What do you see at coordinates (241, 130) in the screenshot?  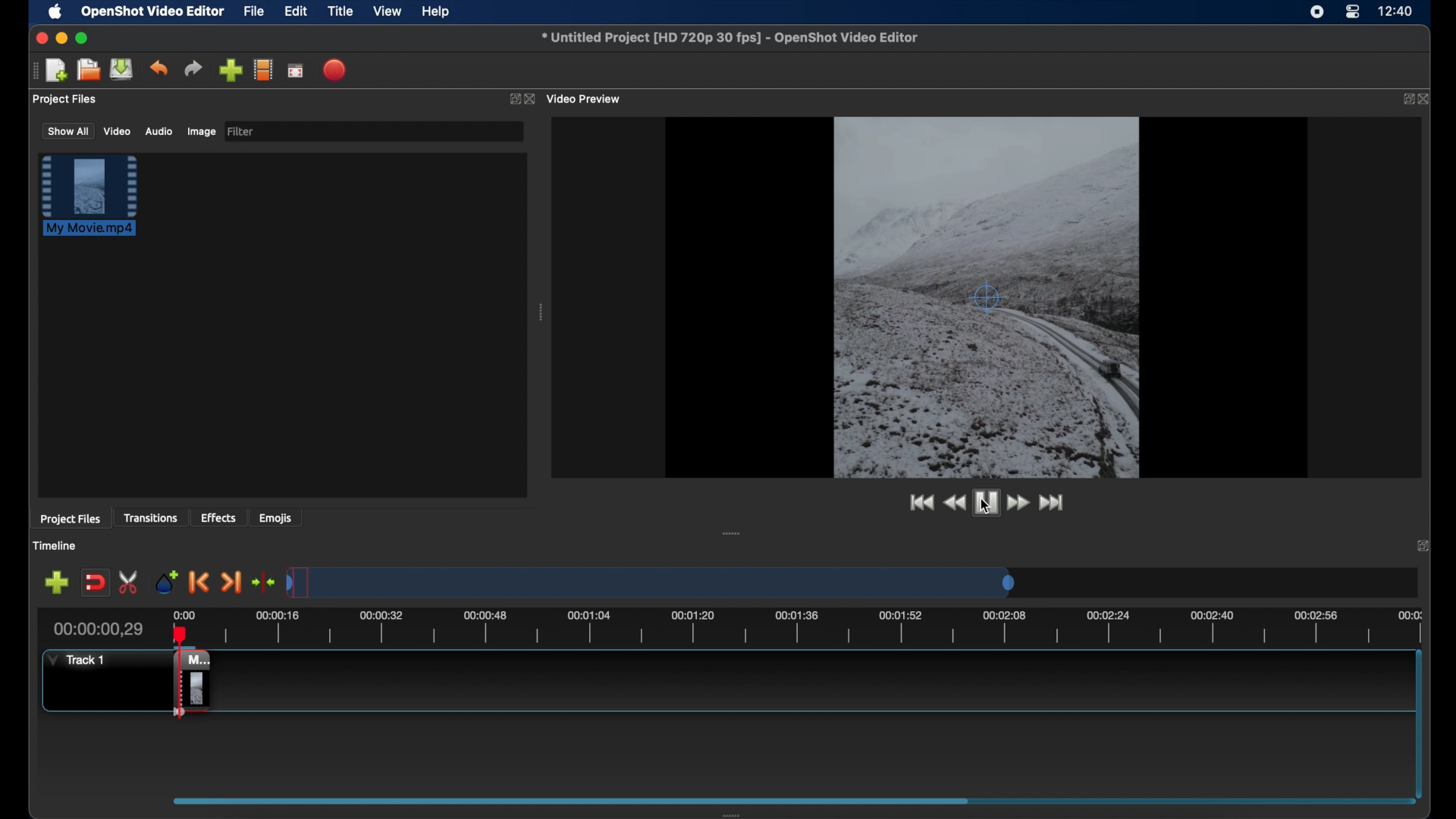 I see `filter` at bounding box center [241, 130].